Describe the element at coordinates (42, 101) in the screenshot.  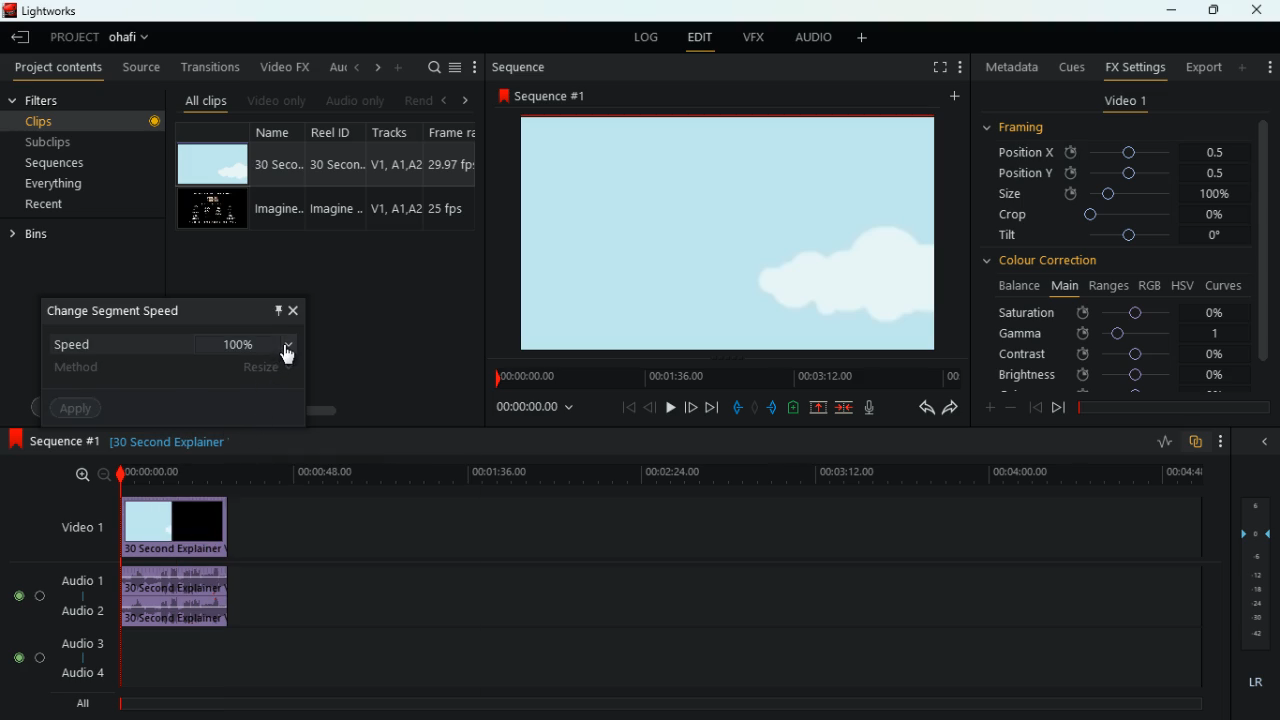
I see `filters` at that location.